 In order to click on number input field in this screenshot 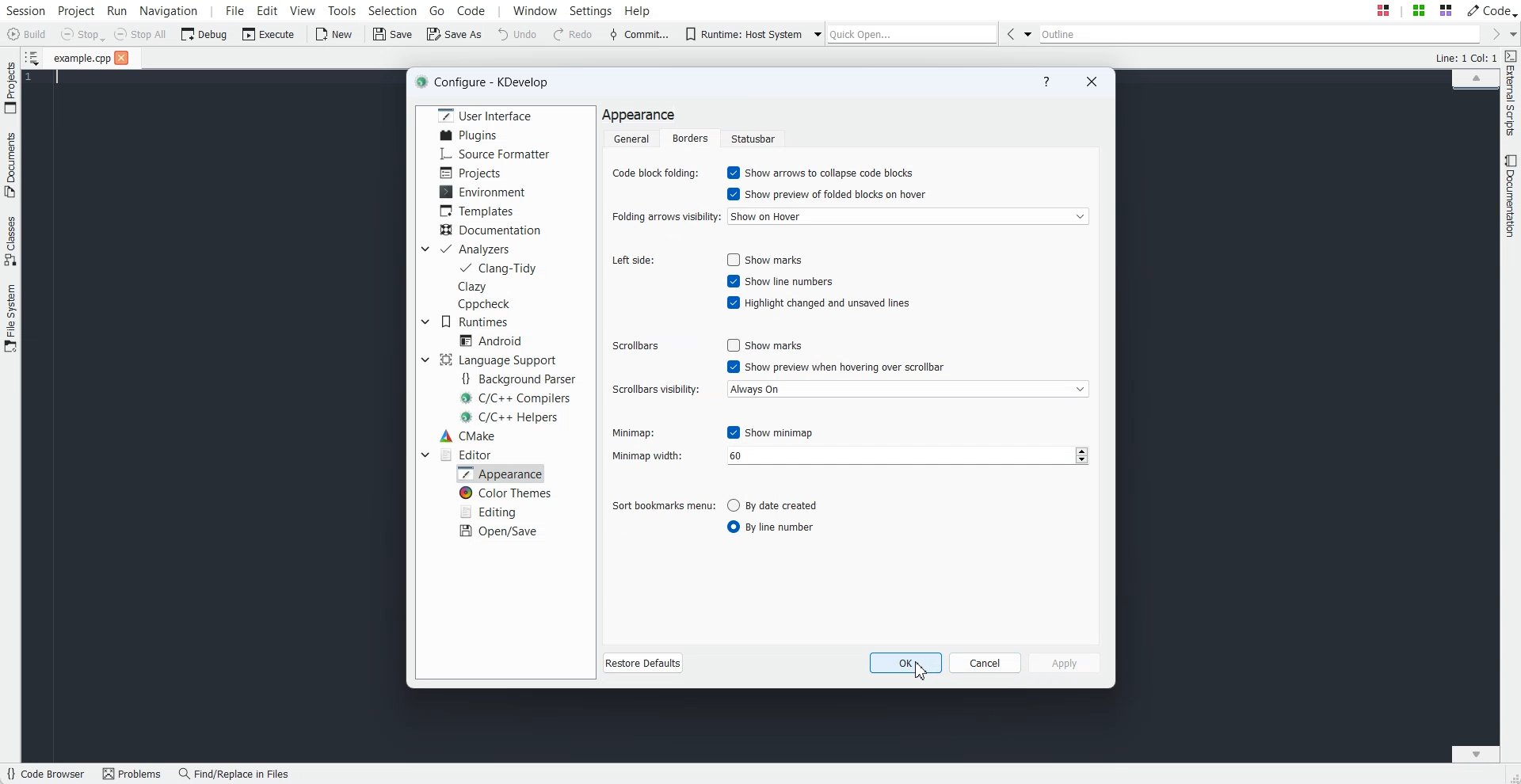, I will do `click(906, 456)`.